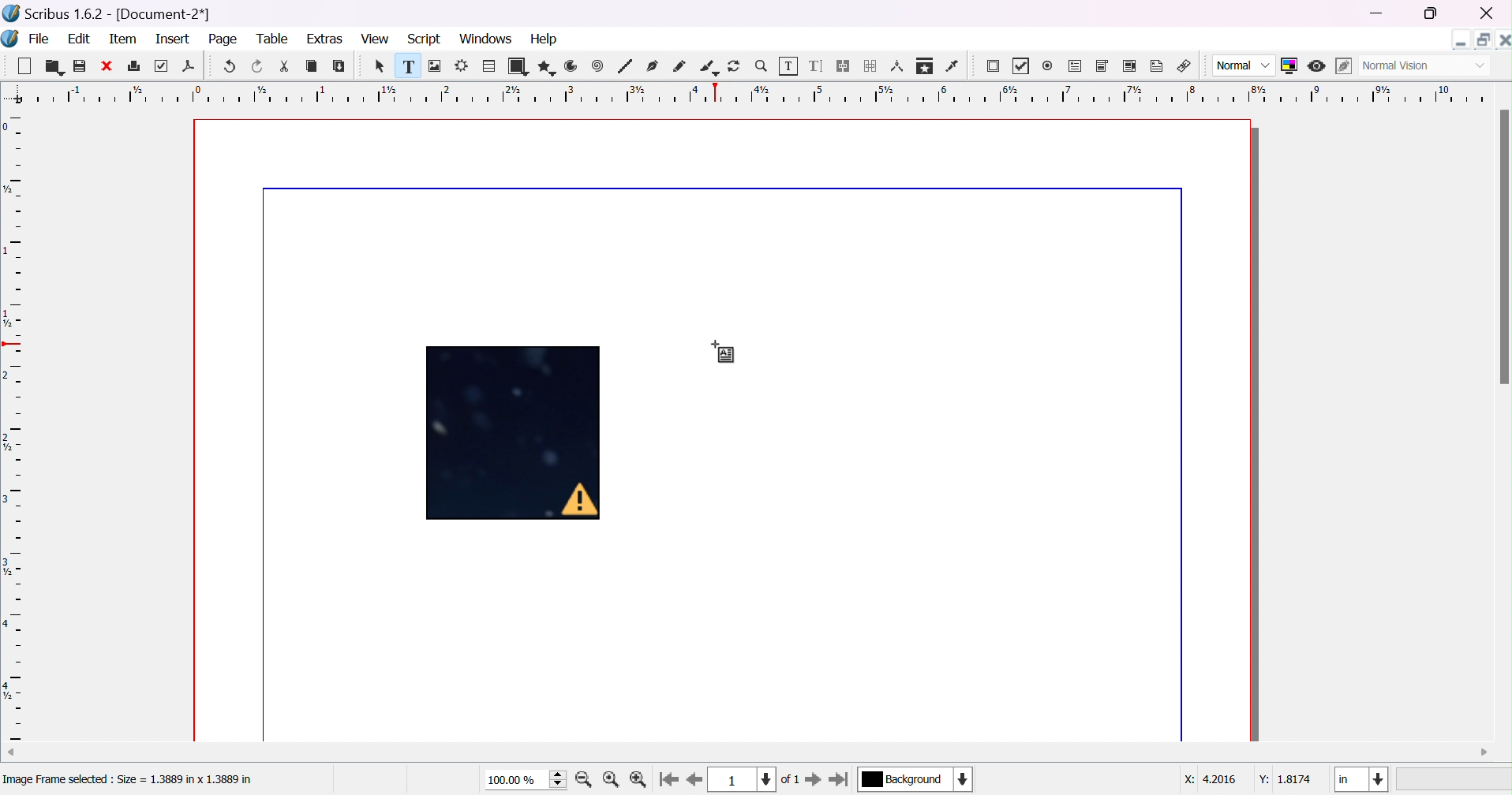 This screenshot has height=795, width=1512. What do you see at coordinates (1025, 66) in the screenshot?
I see `PDF checkbox` at bounding box center [1025, 66].